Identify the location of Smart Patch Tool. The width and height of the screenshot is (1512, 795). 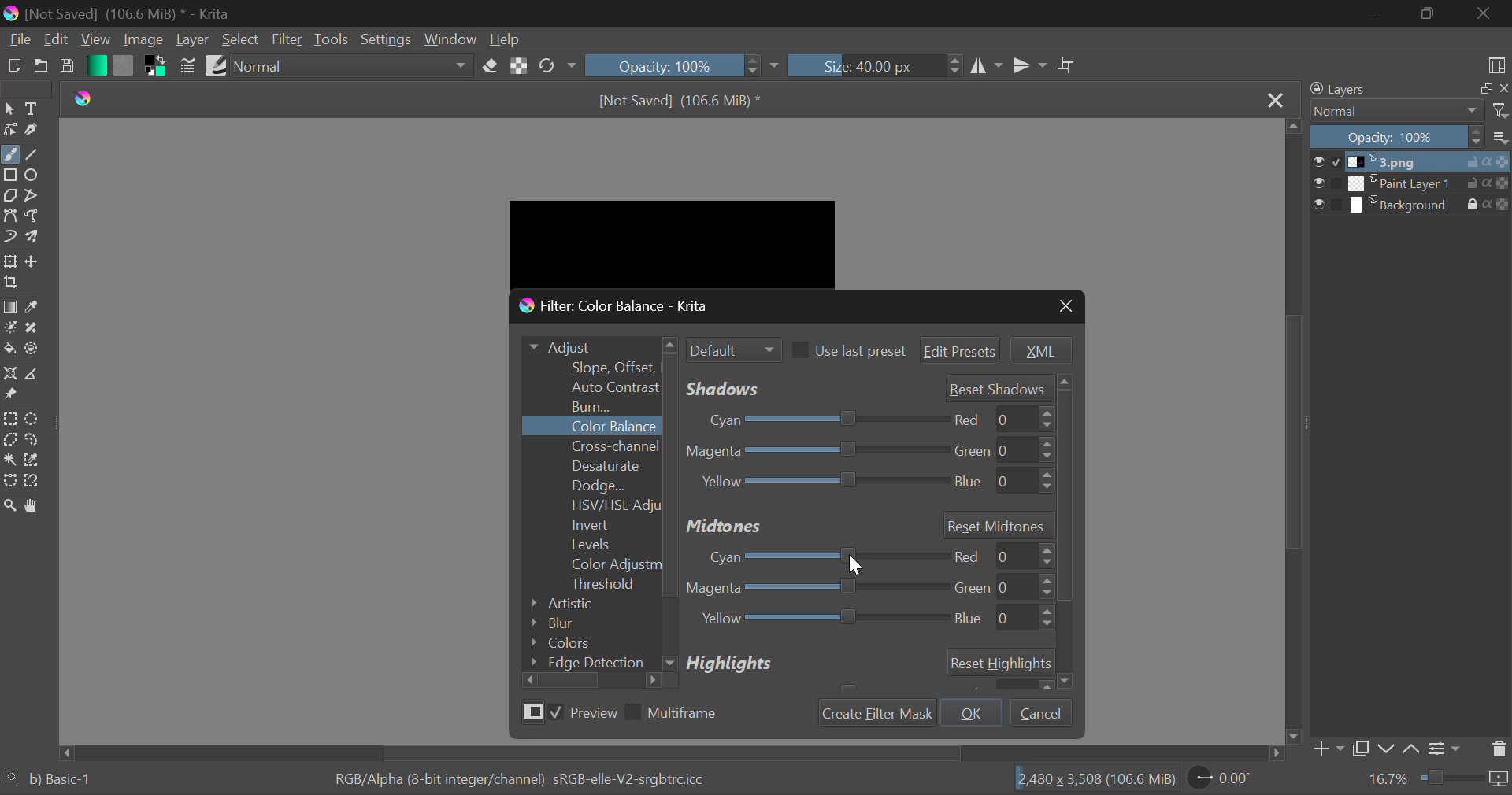
(35, 327).